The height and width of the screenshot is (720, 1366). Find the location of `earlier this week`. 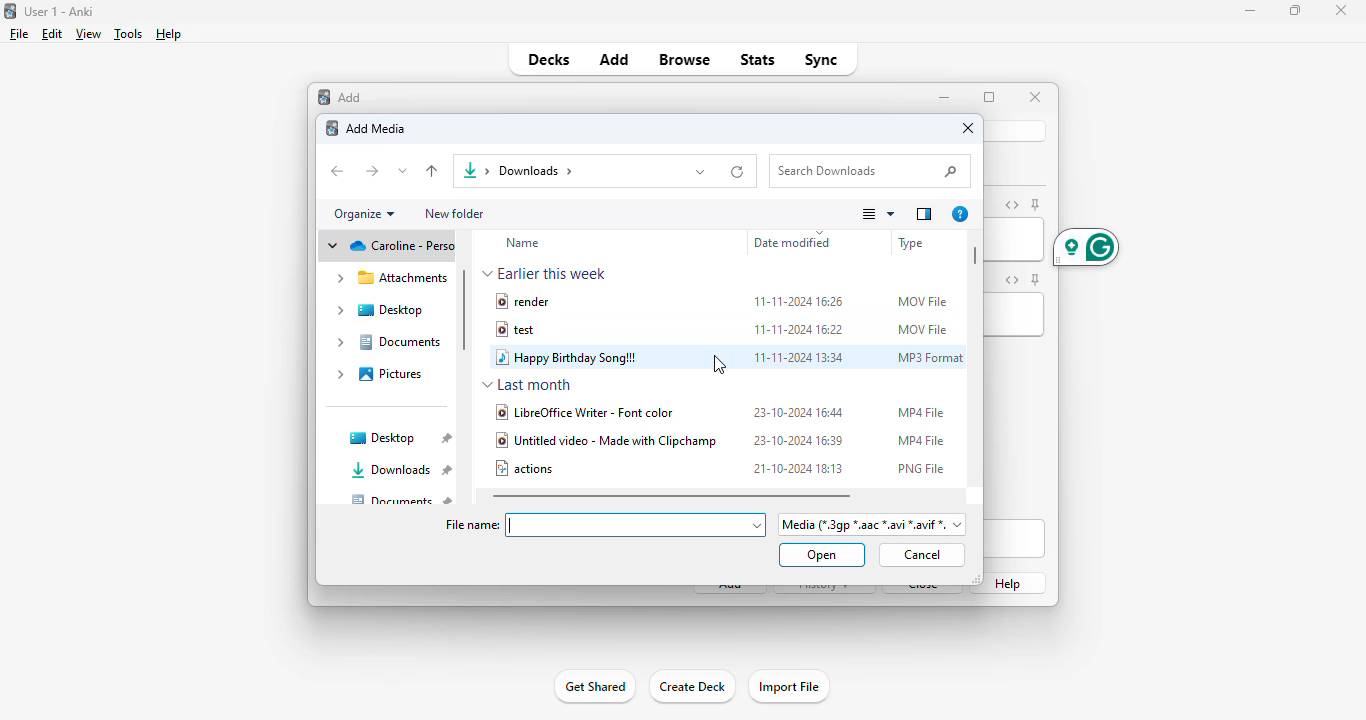

earlier this week is located at coordinates (546, 273).